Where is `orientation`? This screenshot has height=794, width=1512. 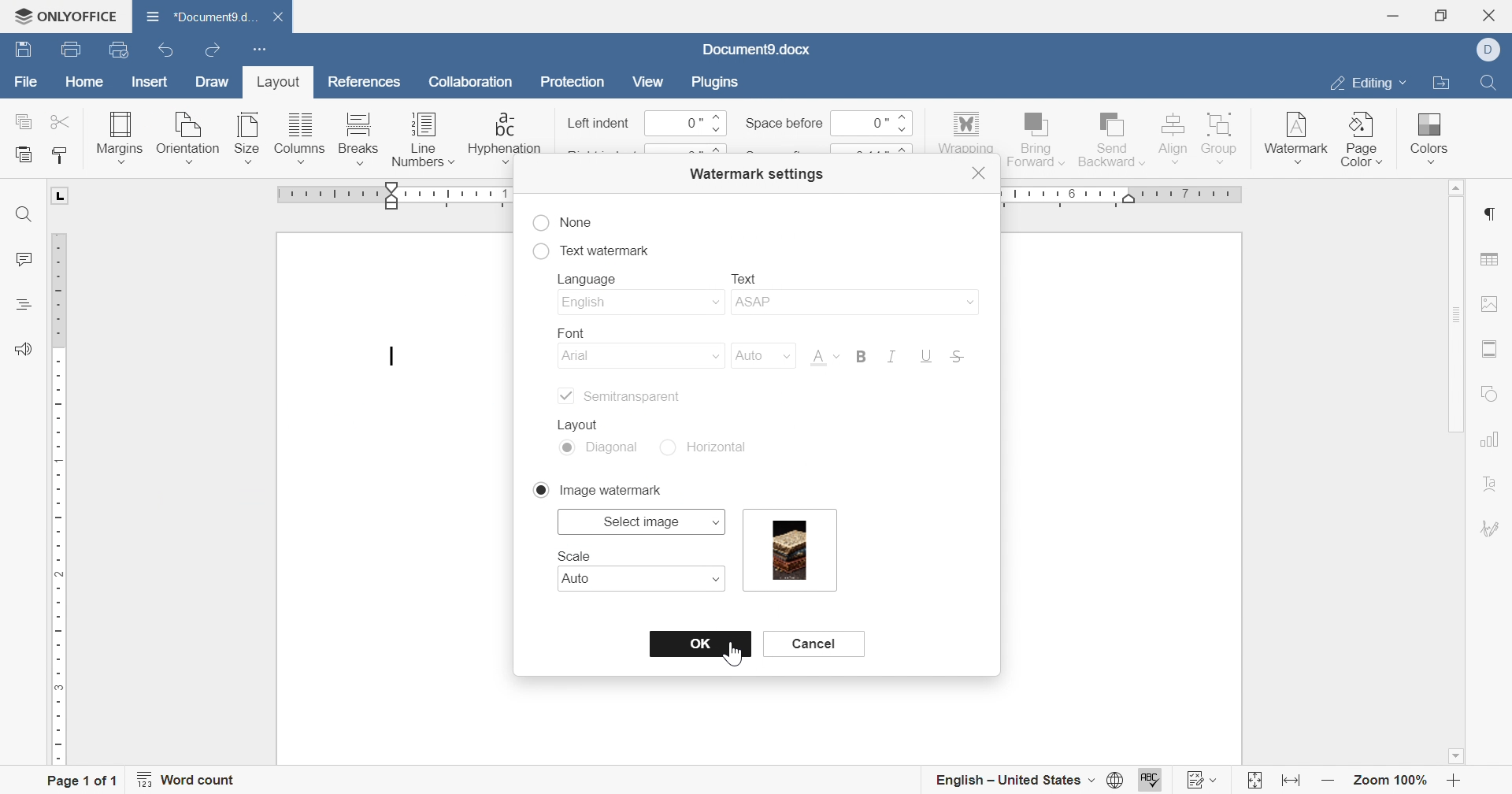
orientation is located at coordinates (187, 139).